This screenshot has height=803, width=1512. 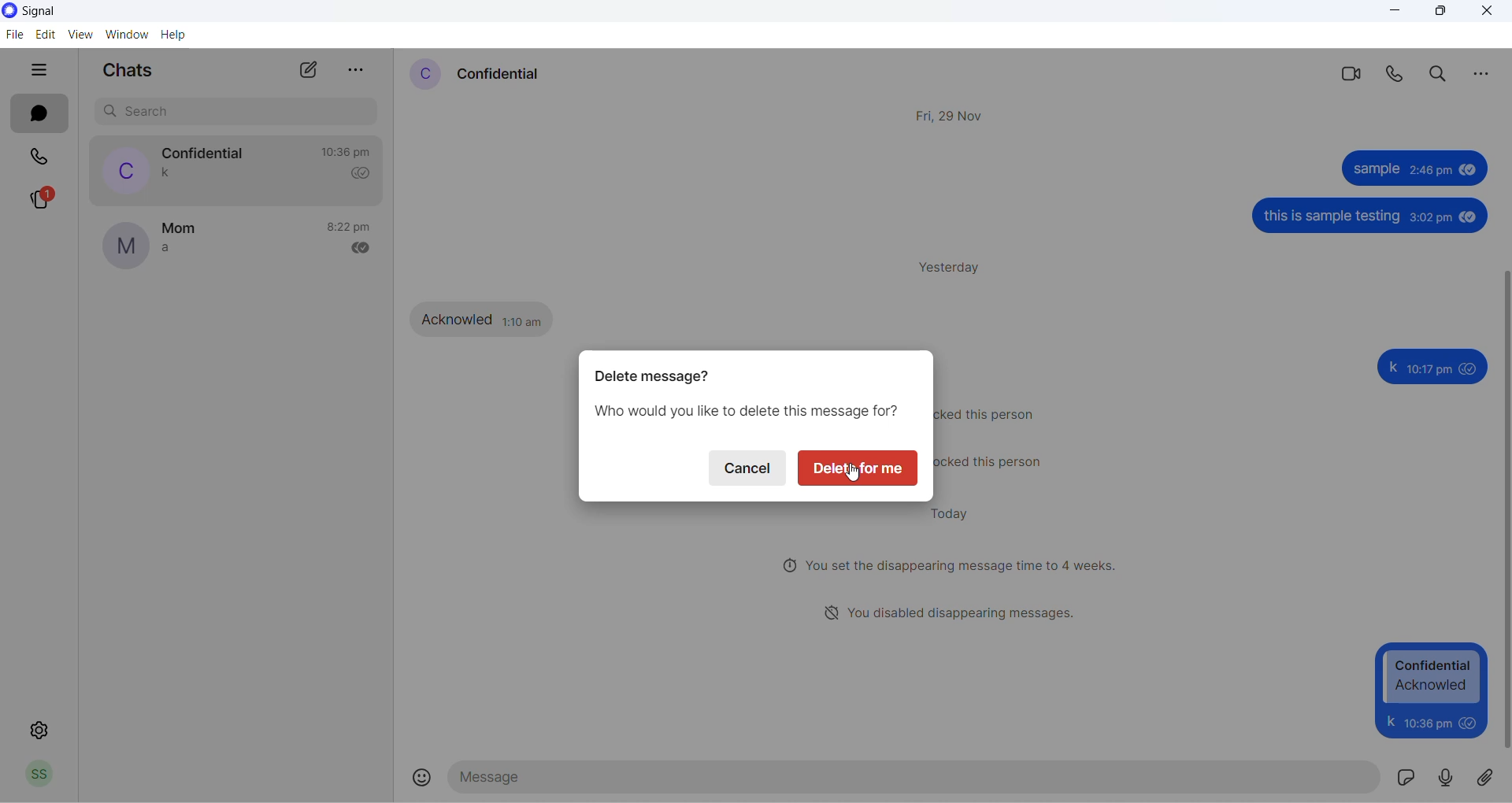 I want to click on contact name, so click(x=502, y=73).